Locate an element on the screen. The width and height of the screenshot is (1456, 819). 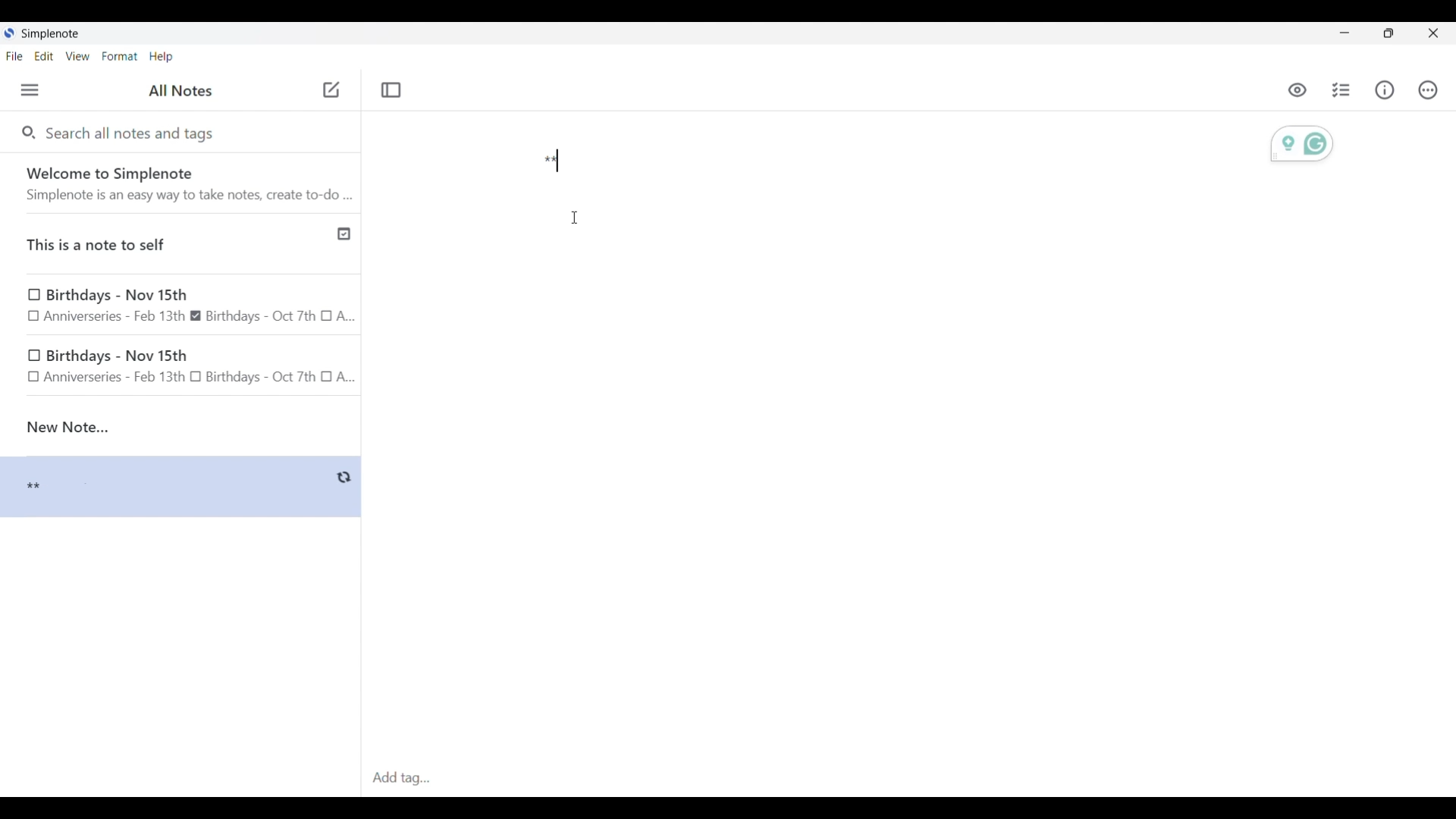
Search all notes and tags is located at coordinates (133, 132).